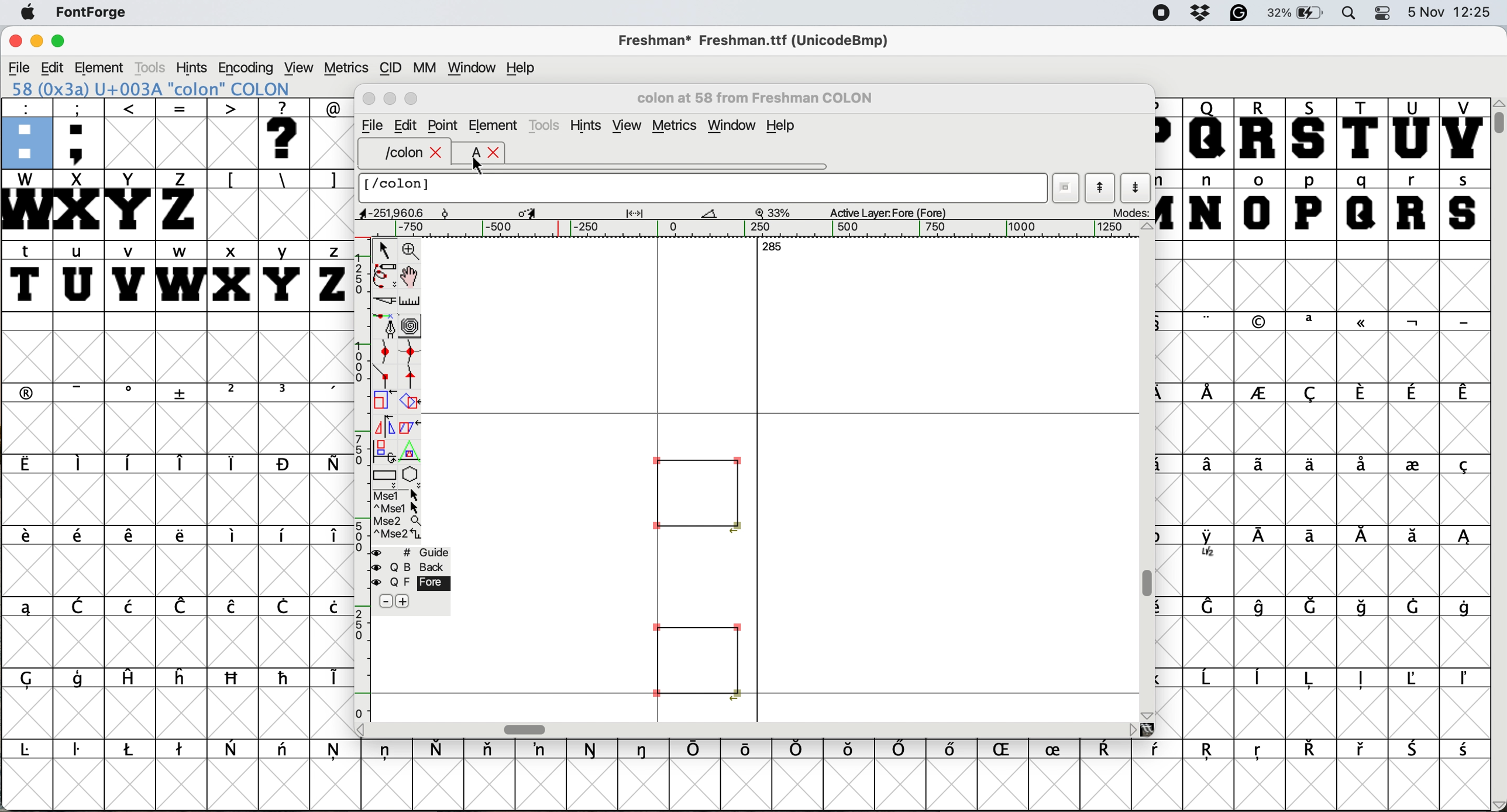 The image size is (1507, 812). I want to click on symbol, so click(82, 392).